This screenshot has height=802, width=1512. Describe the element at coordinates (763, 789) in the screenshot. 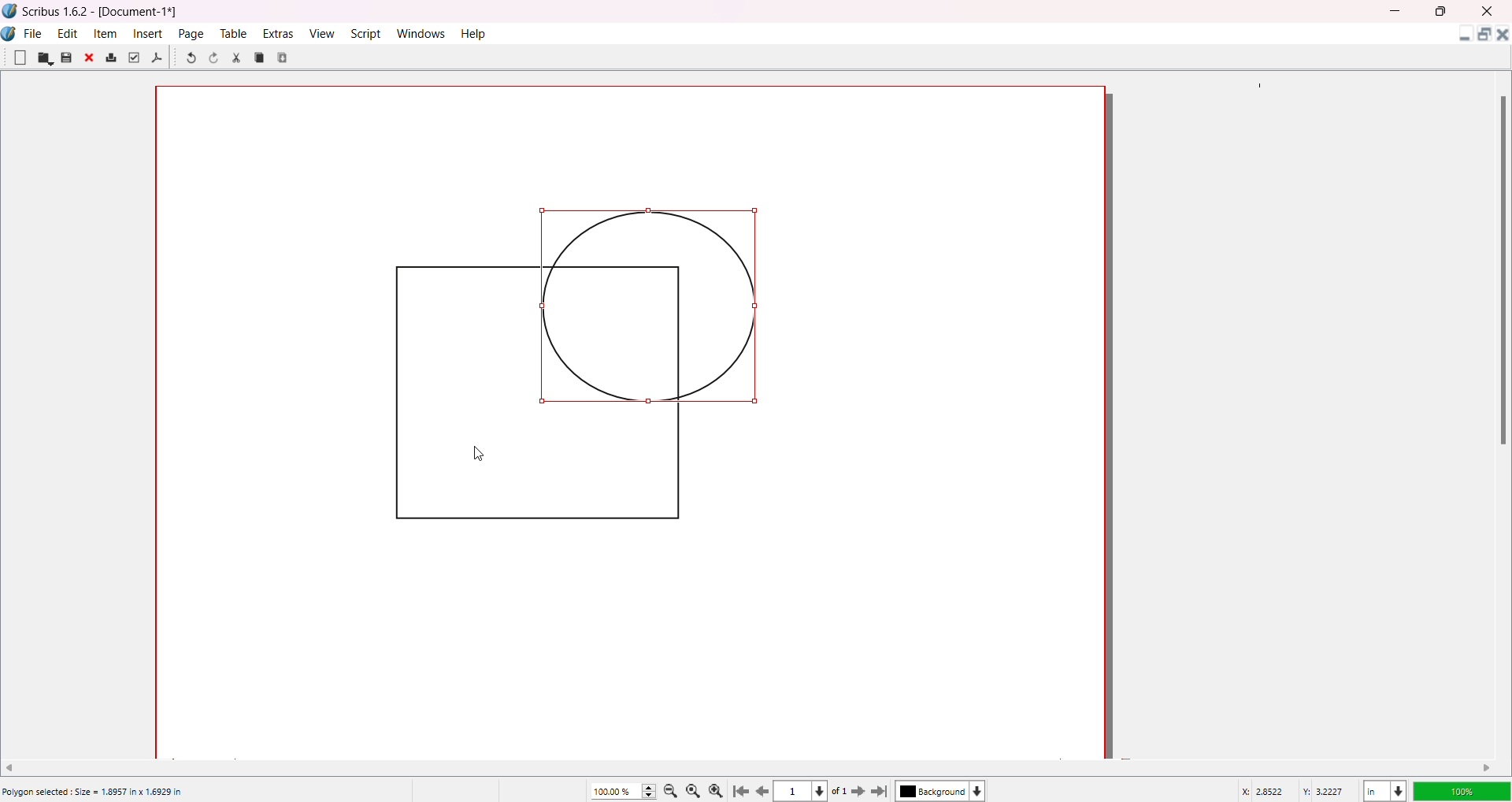

I see `Previous` at that location.